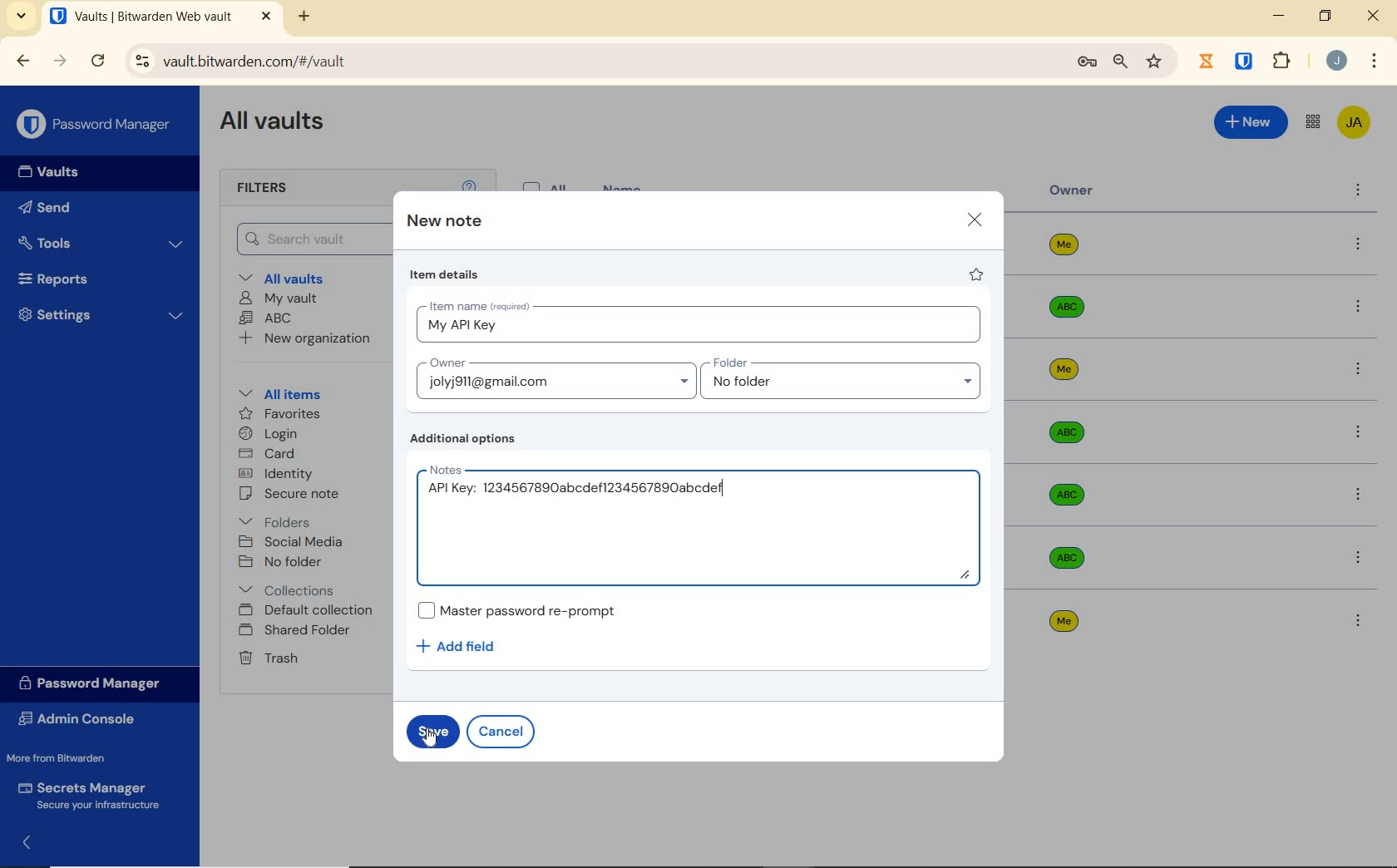  I want to click on Secrets Manager, so click(93, 793).